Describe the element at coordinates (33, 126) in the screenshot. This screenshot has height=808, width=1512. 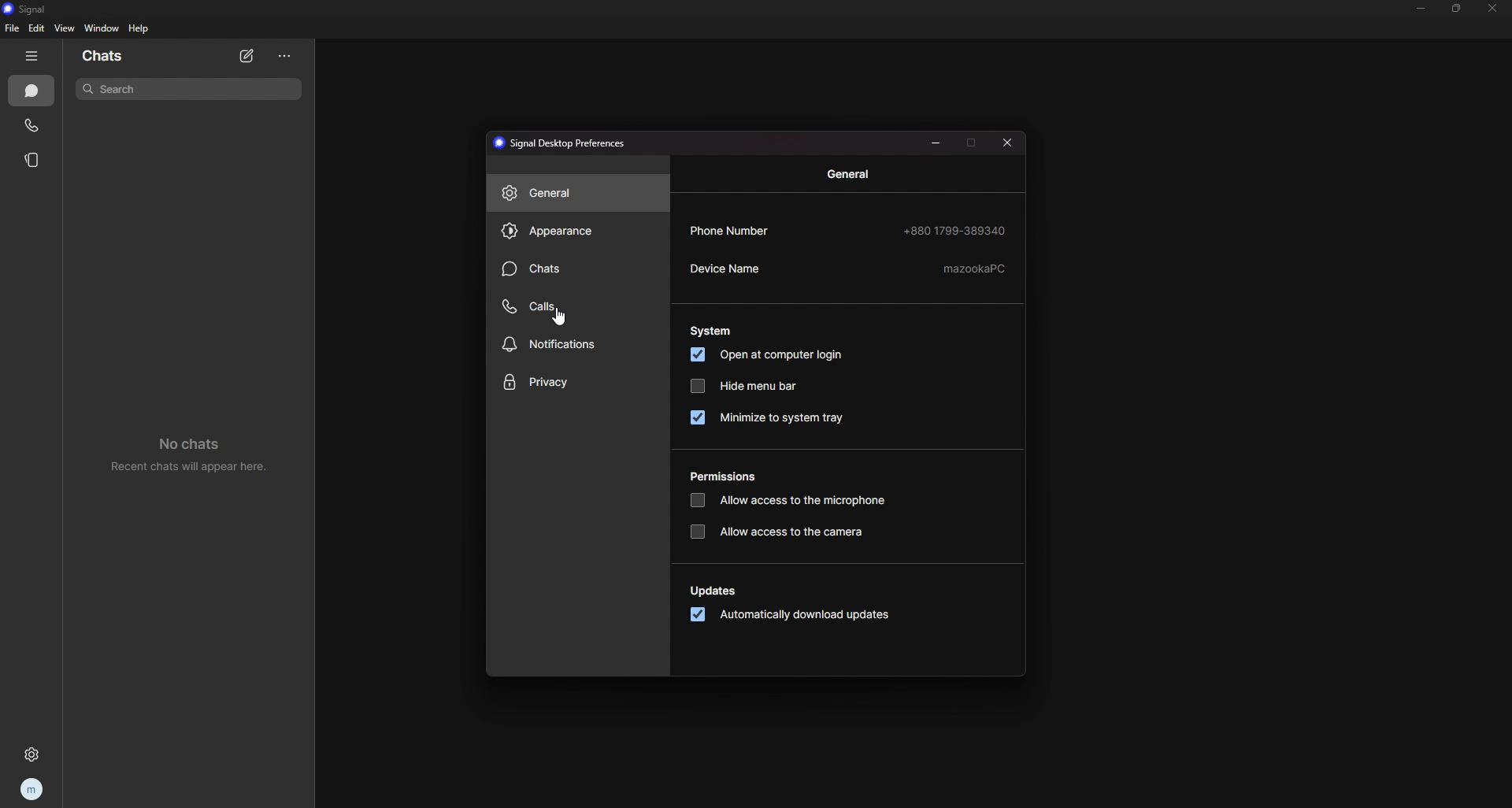
I see `calls` at that location.